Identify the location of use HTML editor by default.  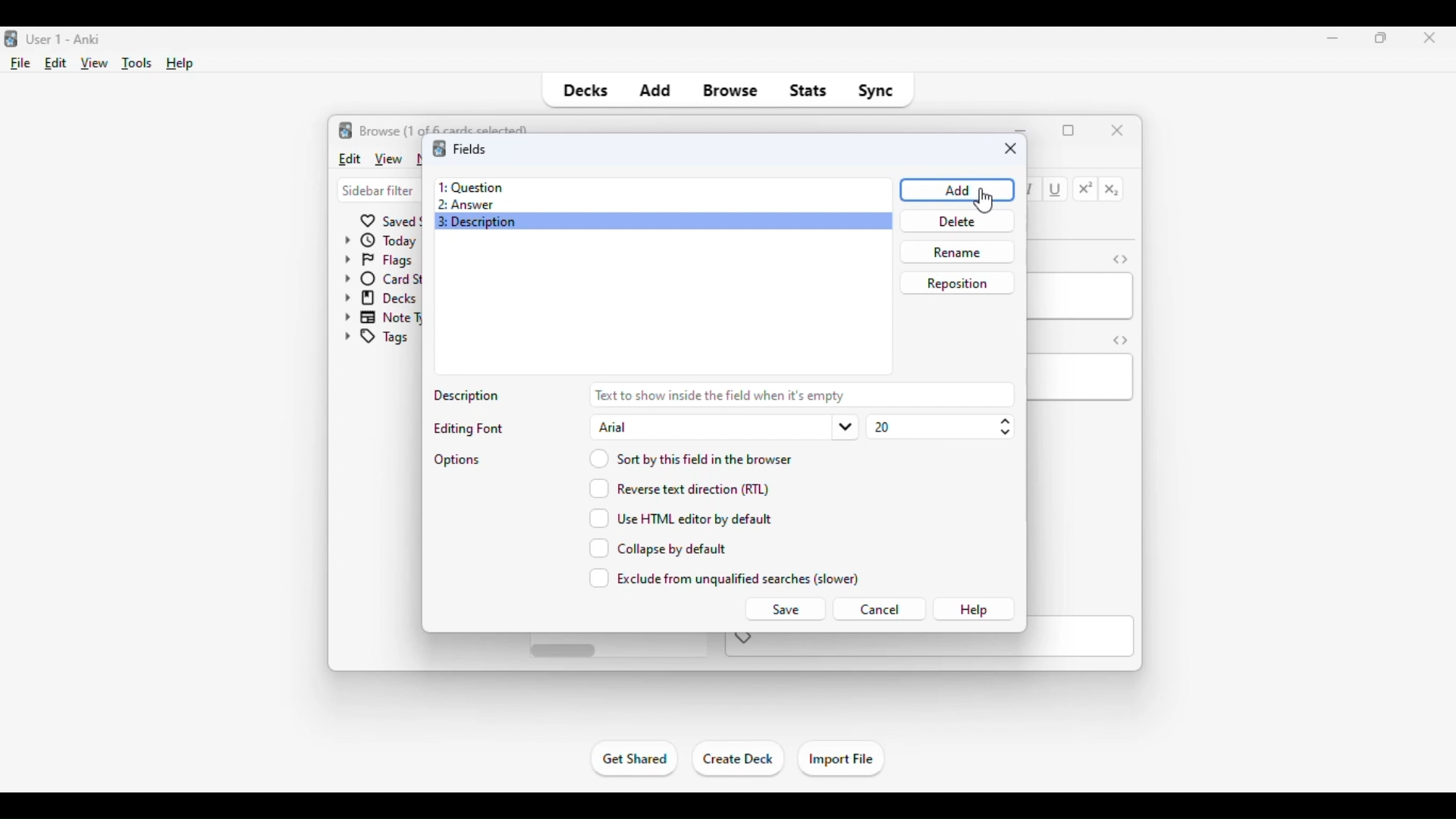
(681, 518).